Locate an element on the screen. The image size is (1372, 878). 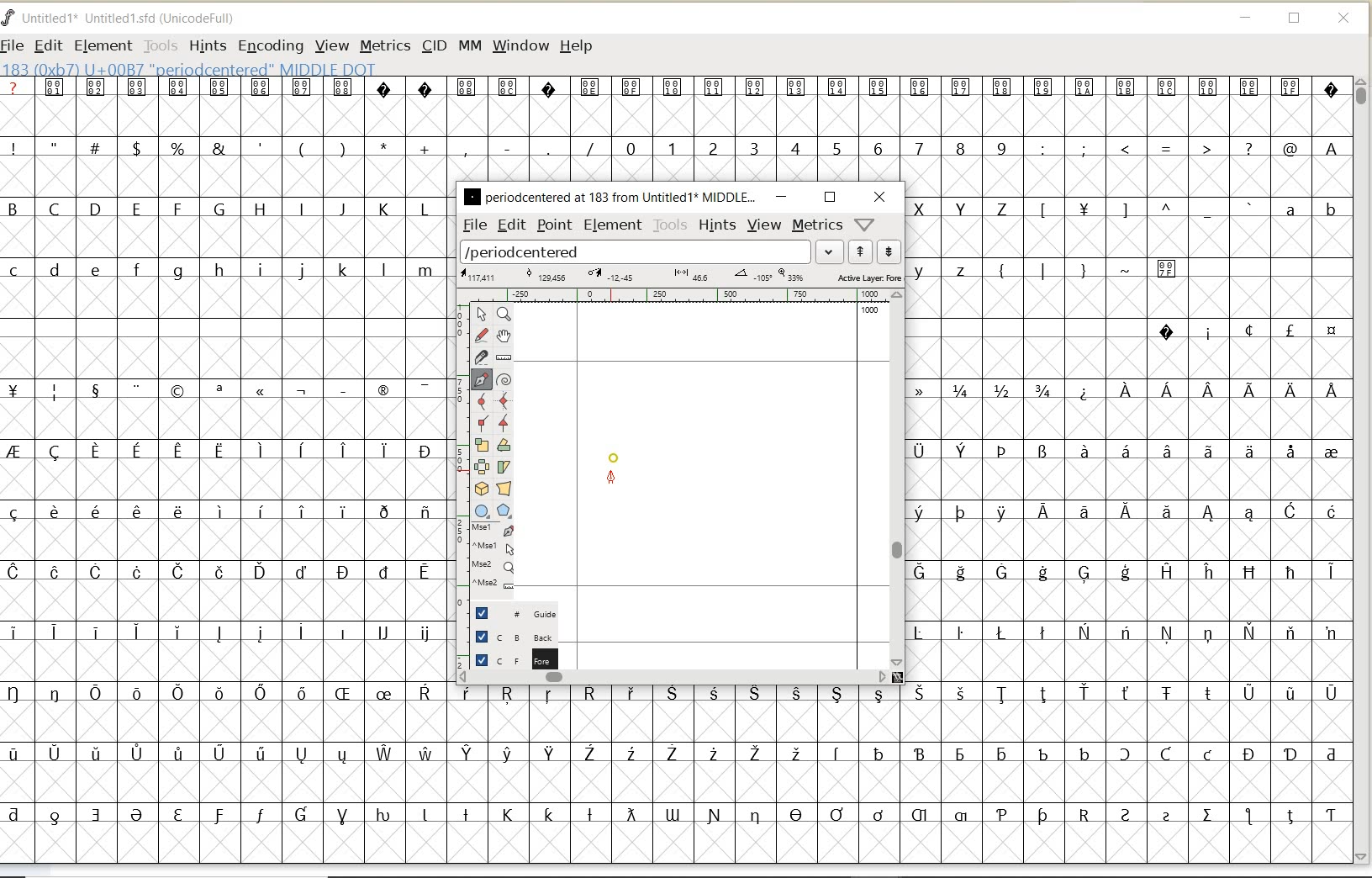
show previous word list is located at coordinates (862, 252).